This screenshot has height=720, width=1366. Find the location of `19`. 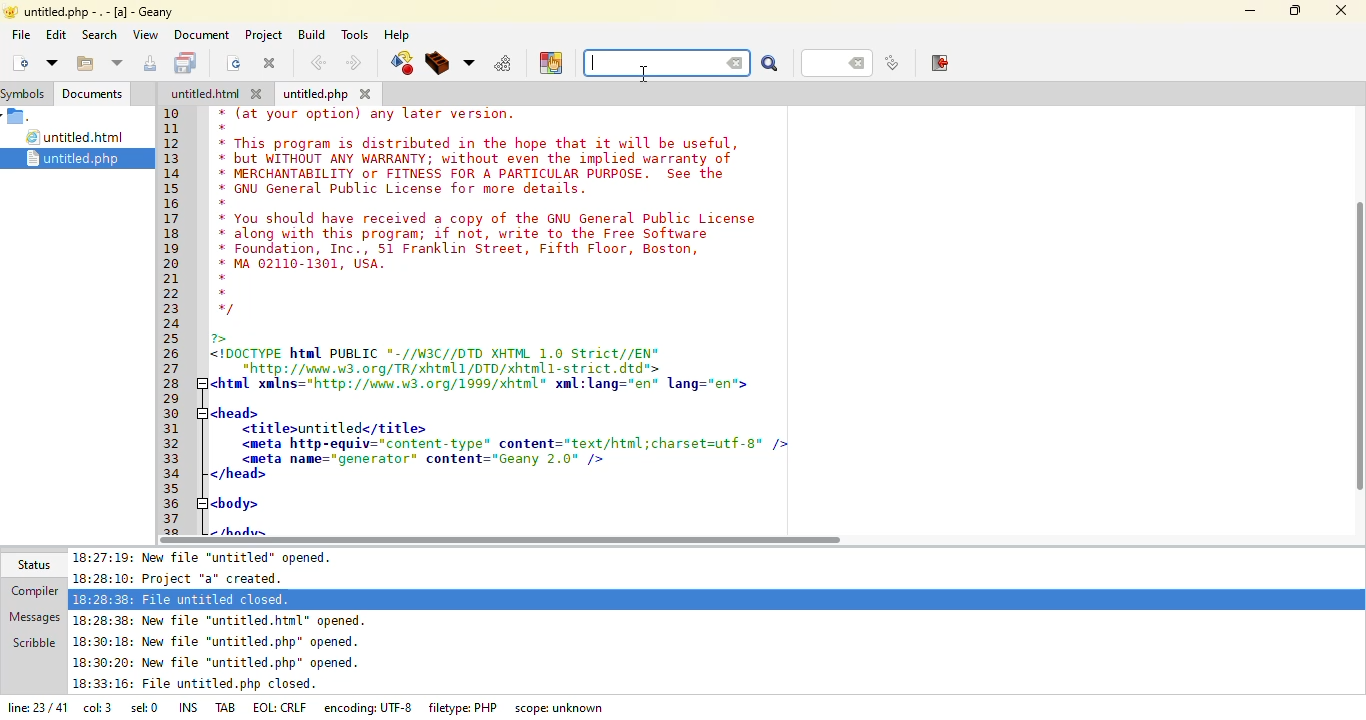

19 is located at coordinates (174, 247).